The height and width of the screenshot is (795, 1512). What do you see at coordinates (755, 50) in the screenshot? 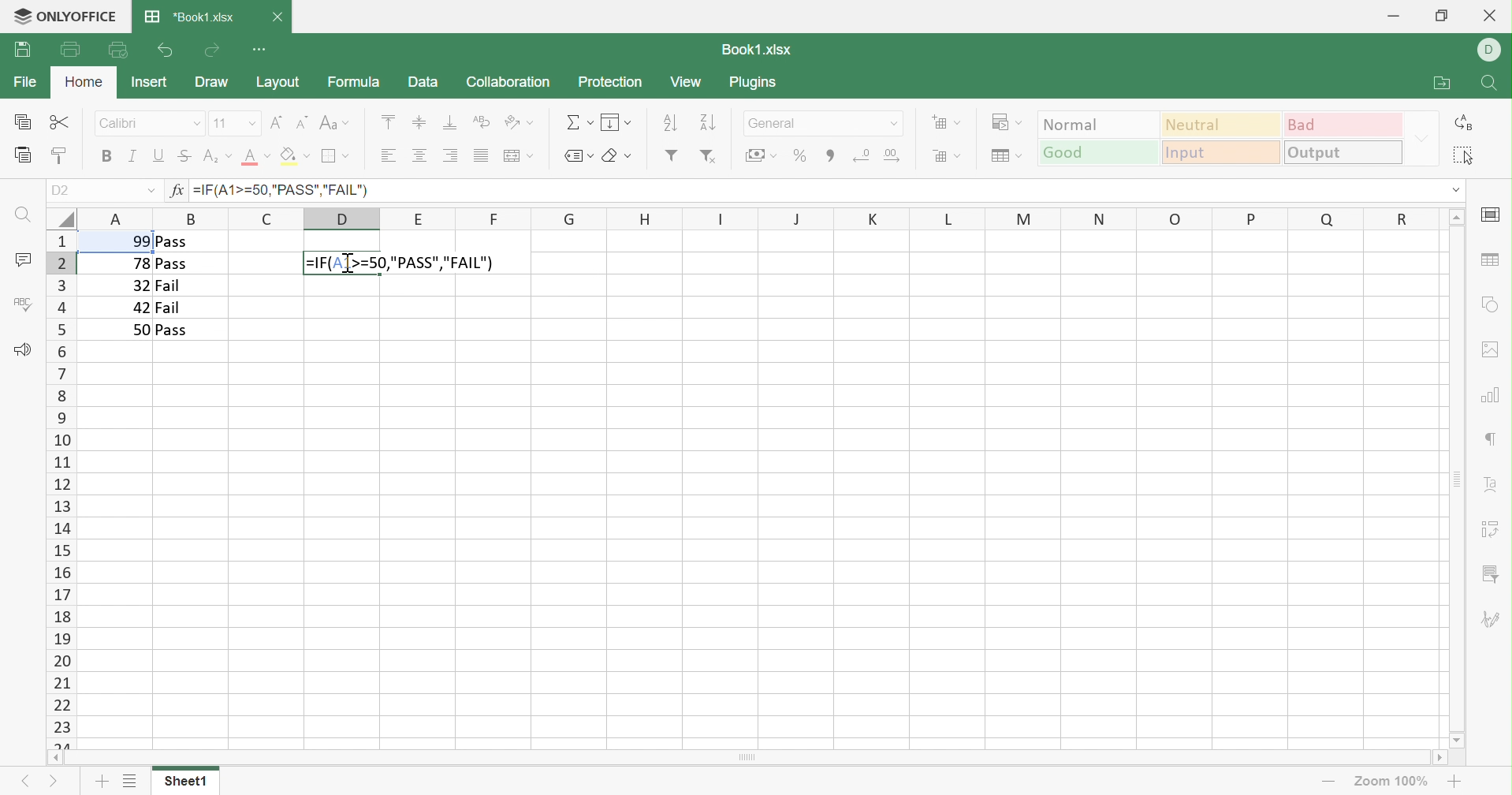
I see `Book1.xlsx` at bounding box center [755, 50].